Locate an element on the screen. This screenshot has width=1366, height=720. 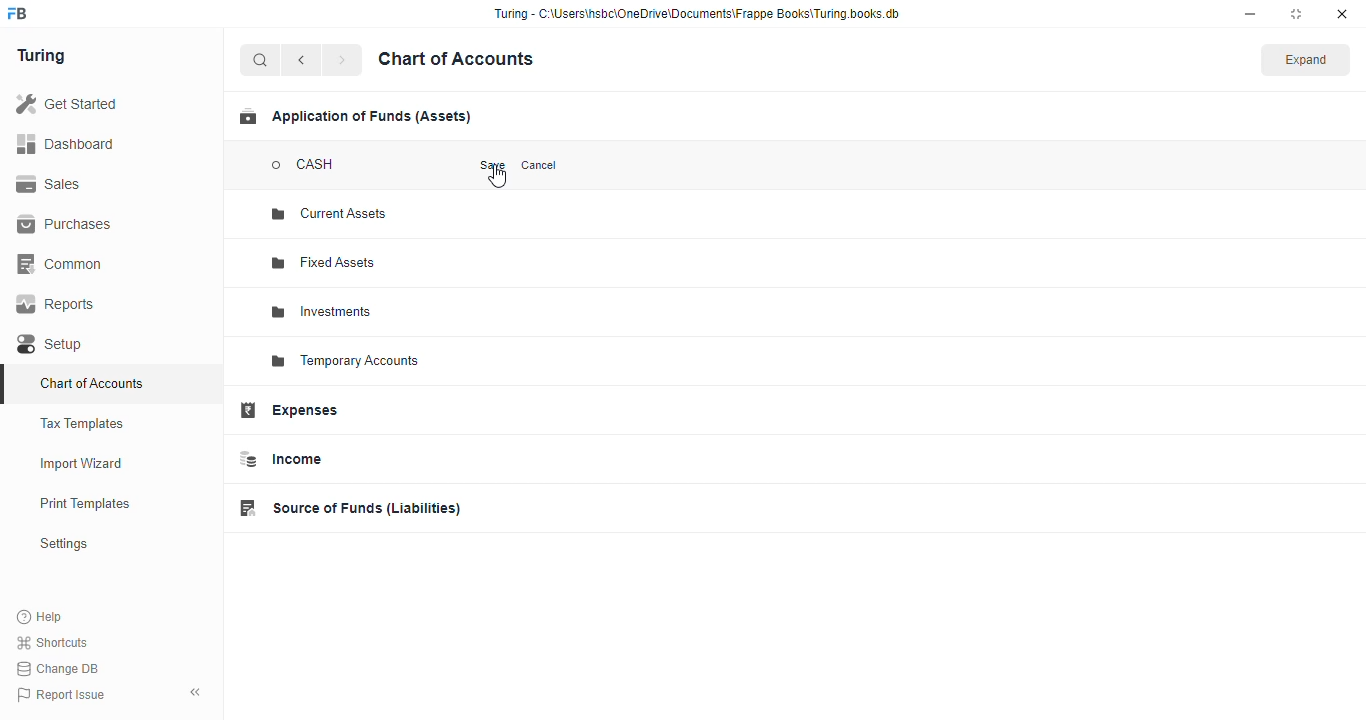
reports is located at coordinates (56, 304).